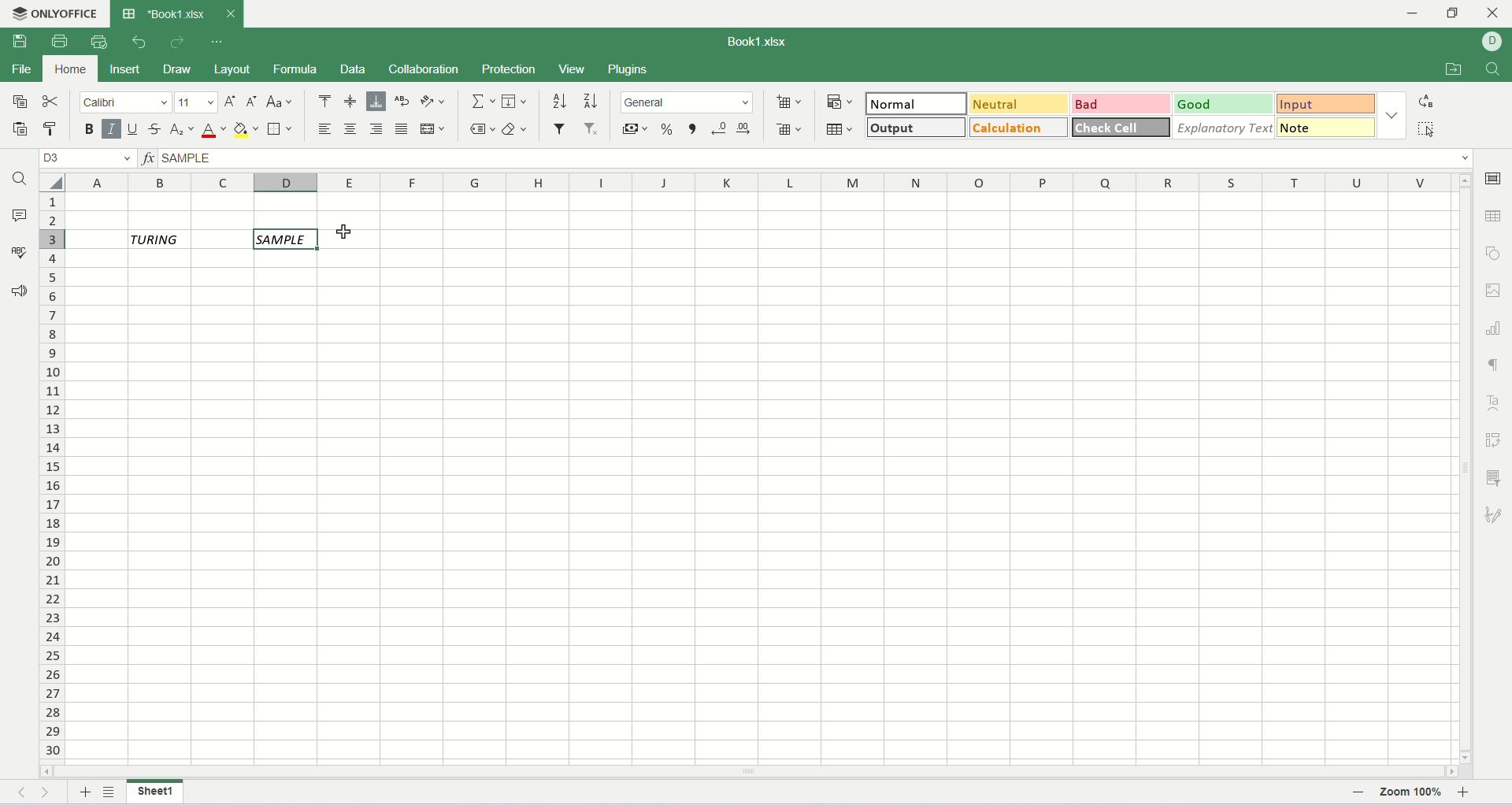 This screenshot has height=805, width=1512. I want to click on summation, so click(484, 102).